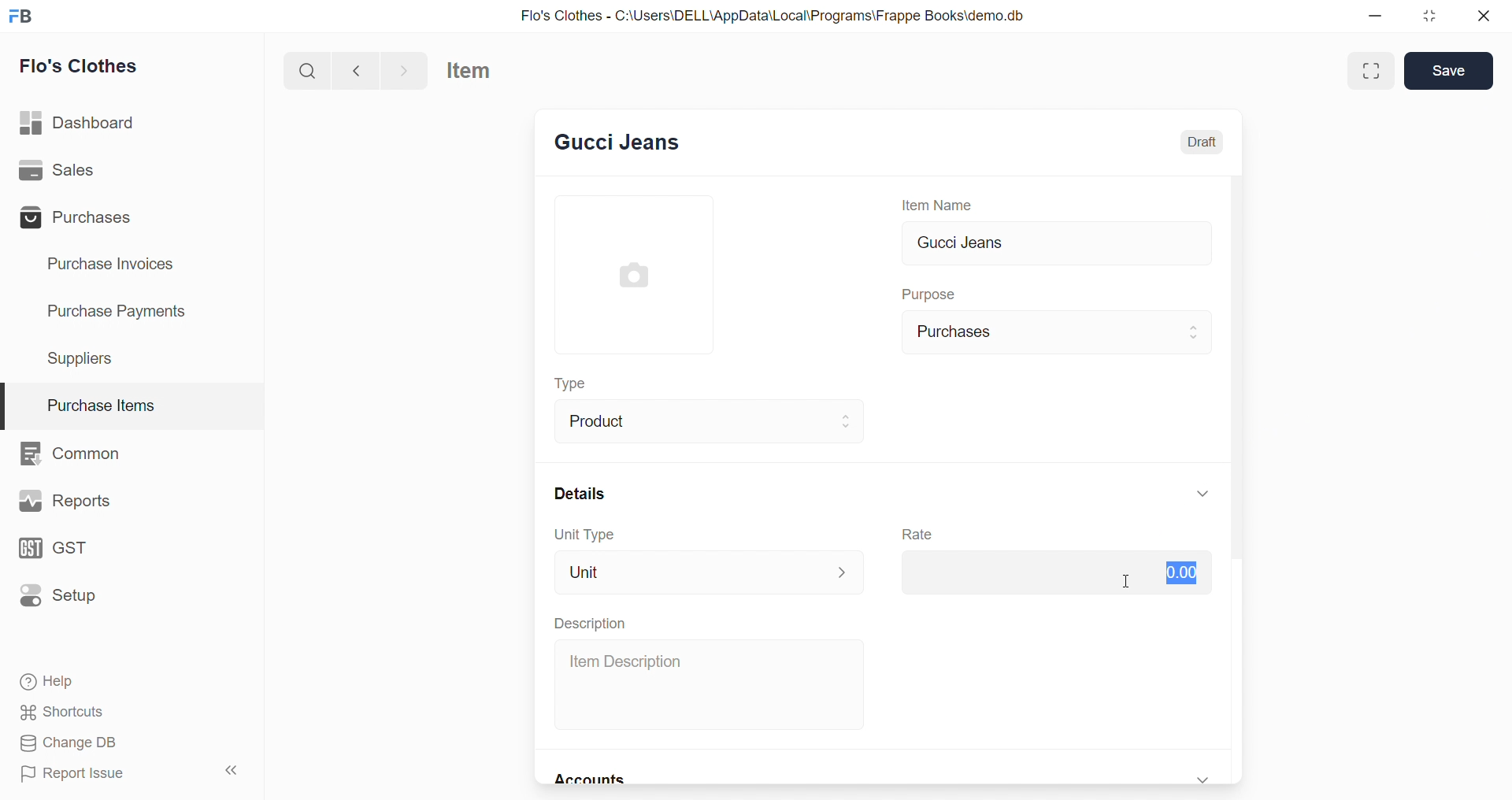 The image size is (1512, 800). I want to click on Common, so click(79, 452).